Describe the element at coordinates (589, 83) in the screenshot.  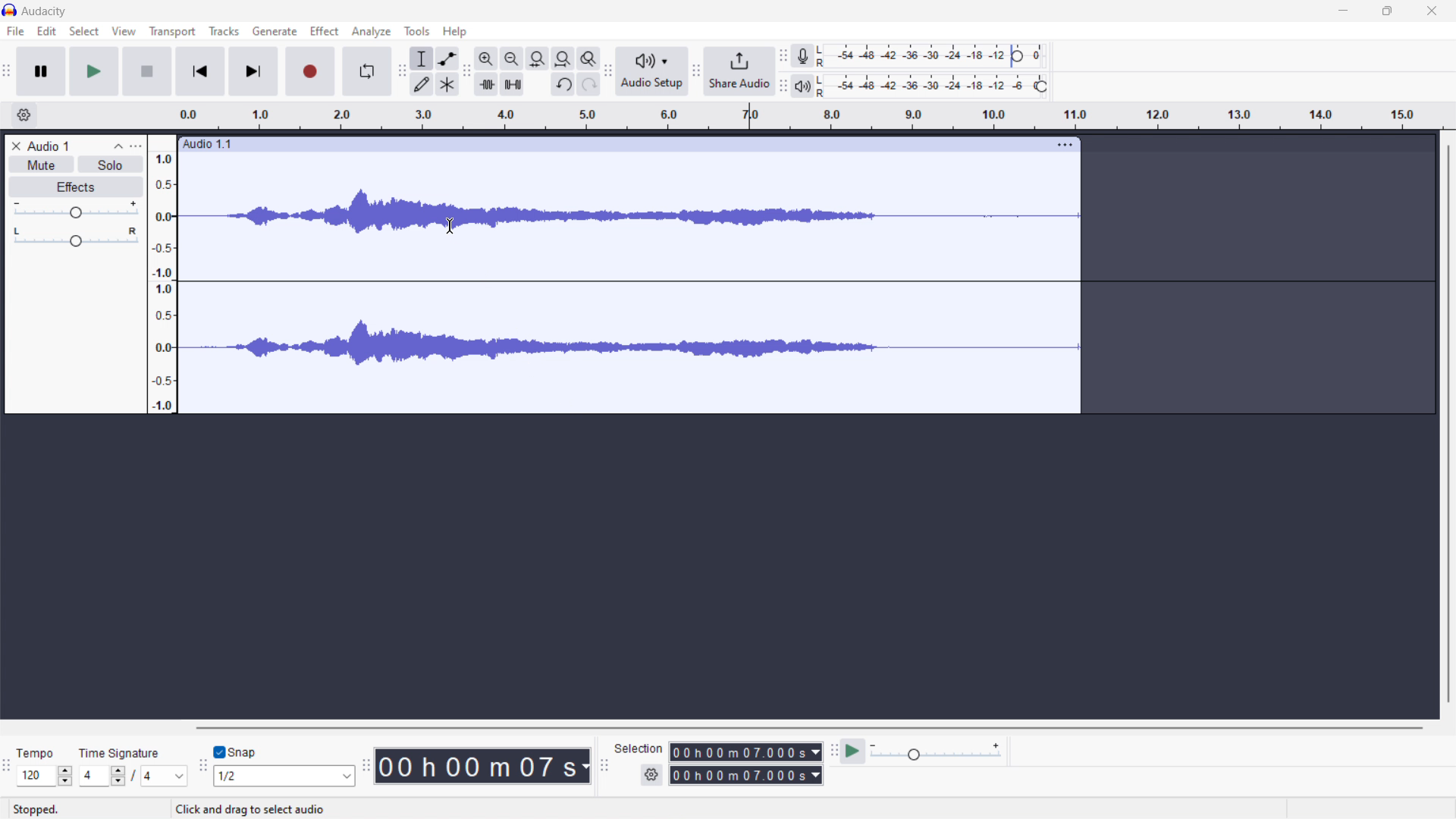
I see `redo` at that location.